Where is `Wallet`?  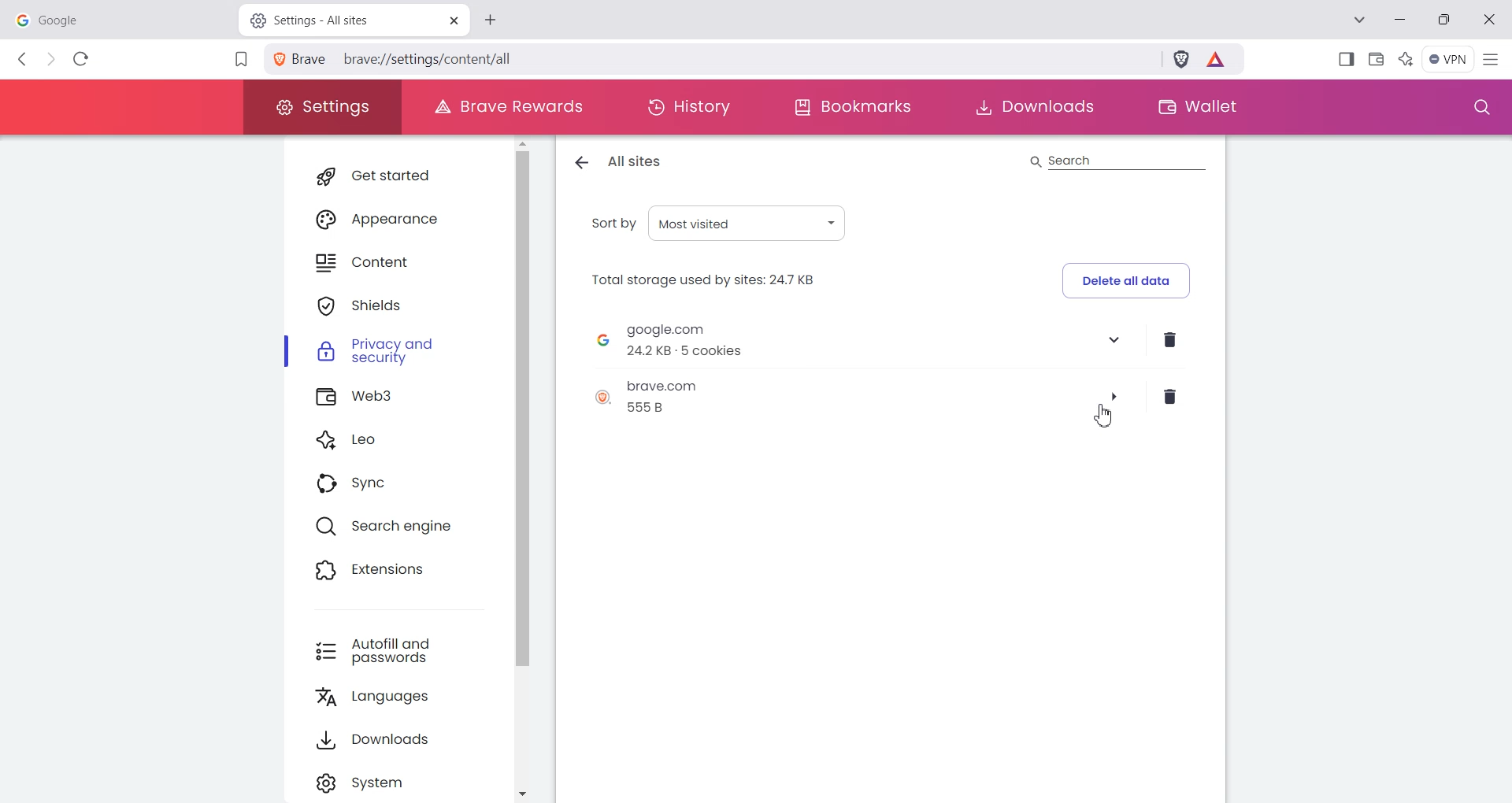 Wallet is located at coordinates (1377, 57).